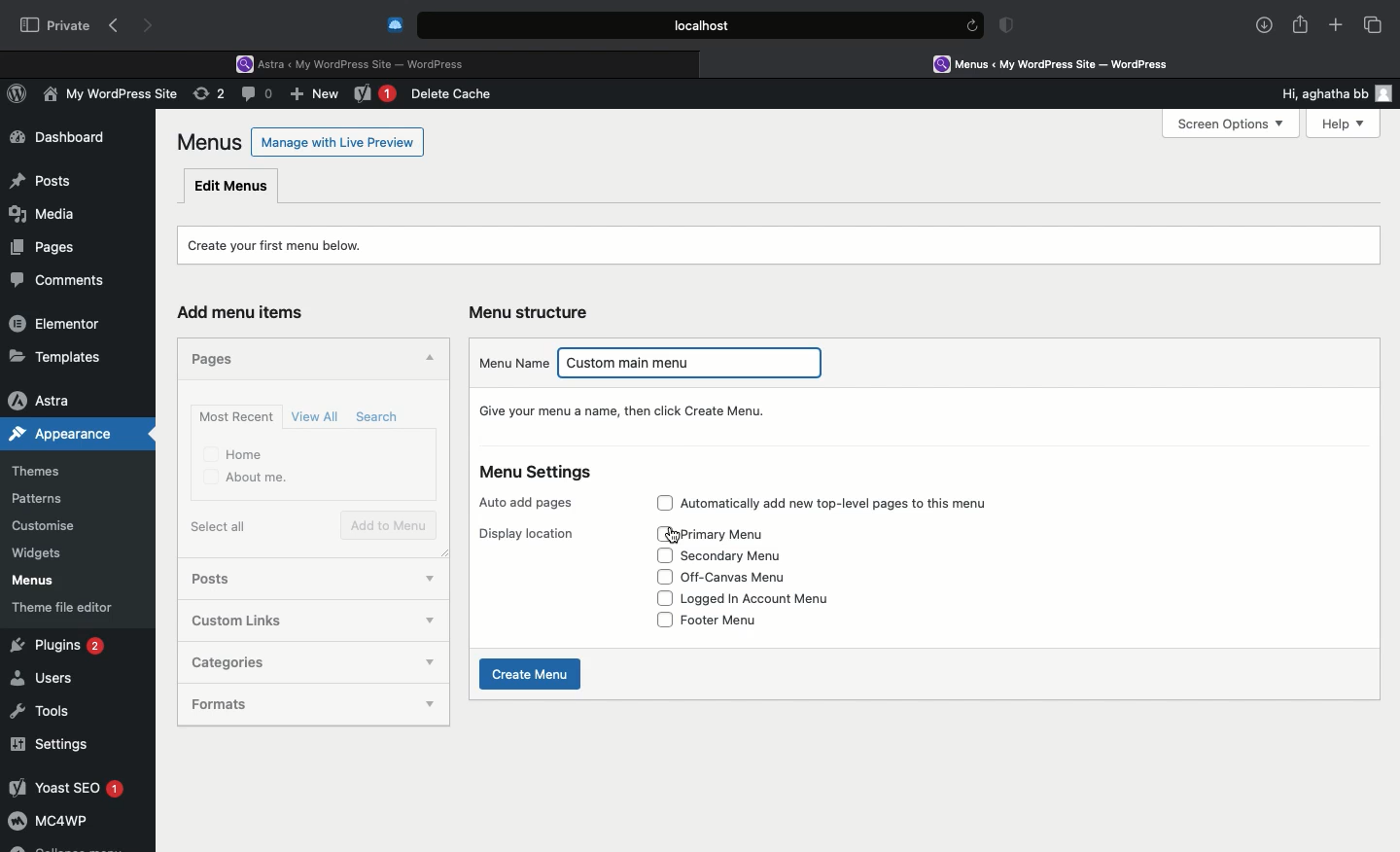 The image size is (1400, 852). What do you see at coordinates (338, 141) in the screenshot?
I see `Manage with Live Preview` at bounding box center [338, 141].